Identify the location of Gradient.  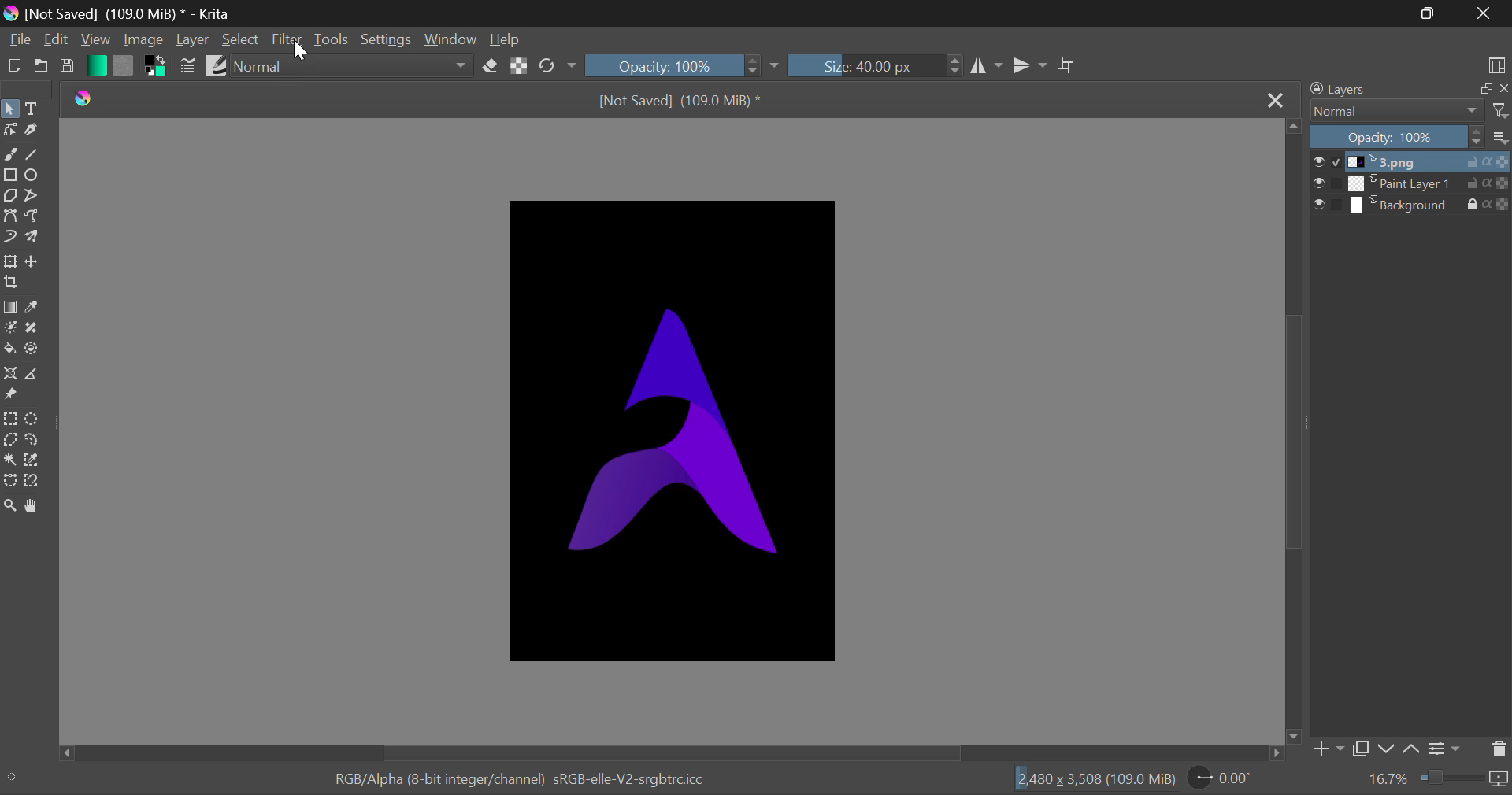
(95, 65).